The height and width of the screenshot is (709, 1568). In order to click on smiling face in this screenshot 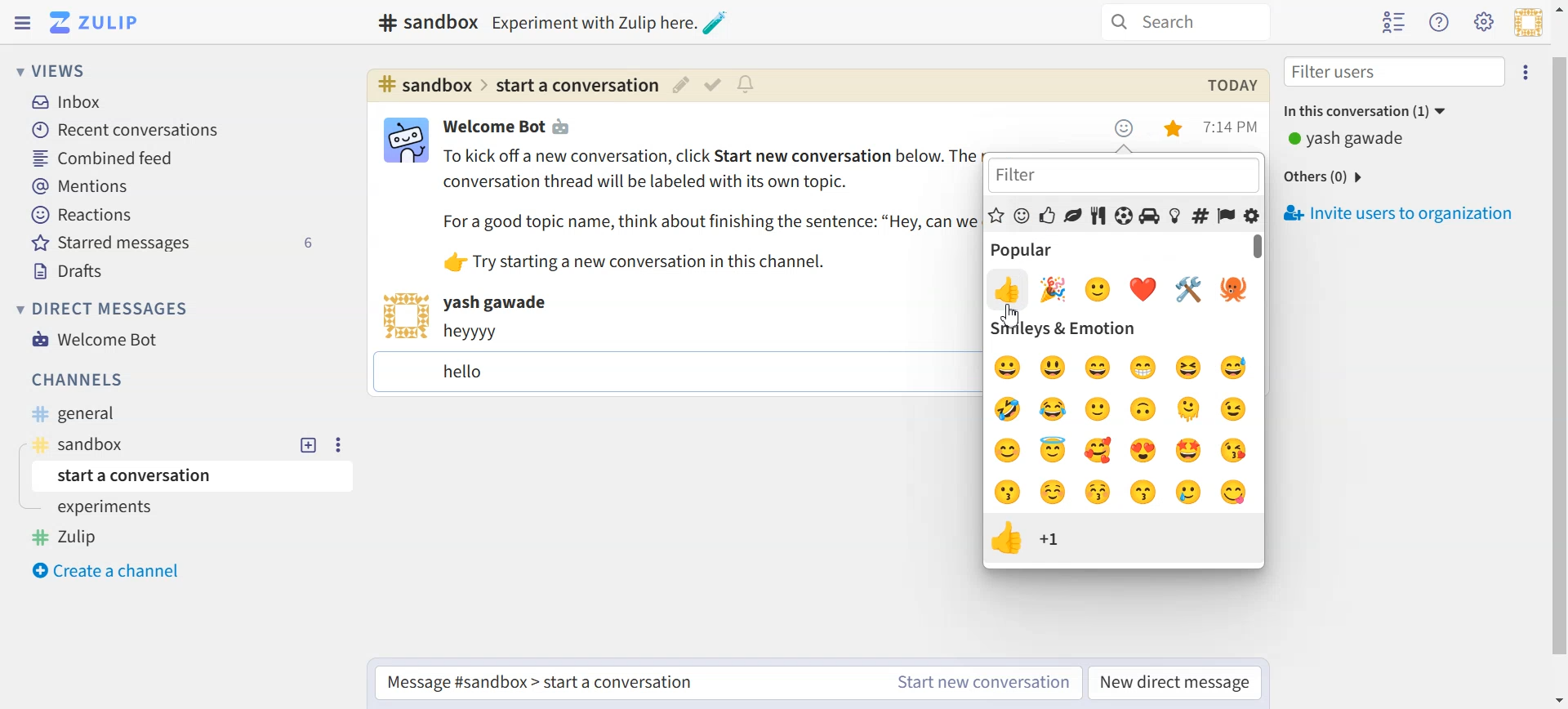, I will do `click(1049, 495)`.